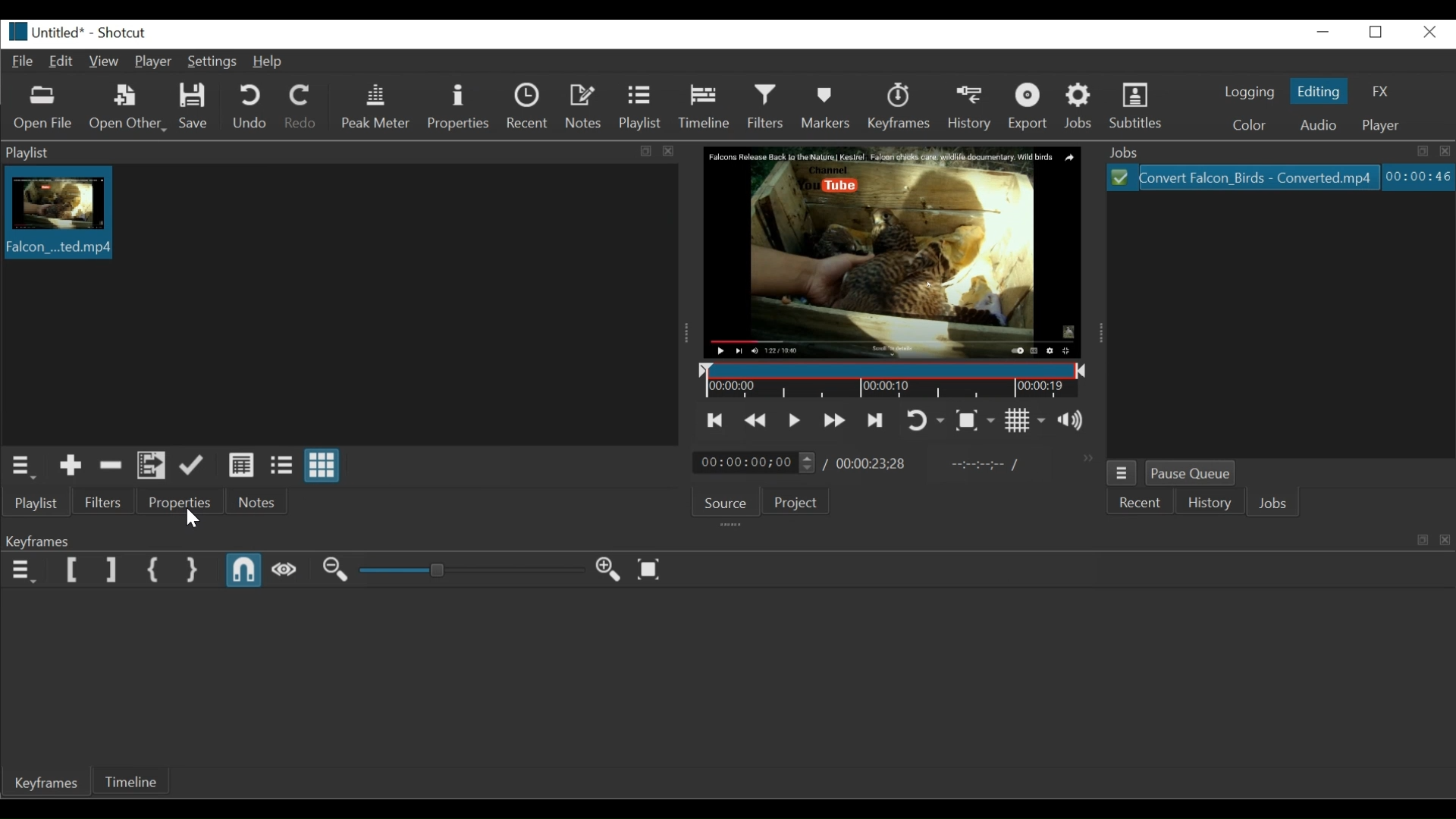 The image size is (1456, 819). I want to click on Jobs, so click(1081, 108).